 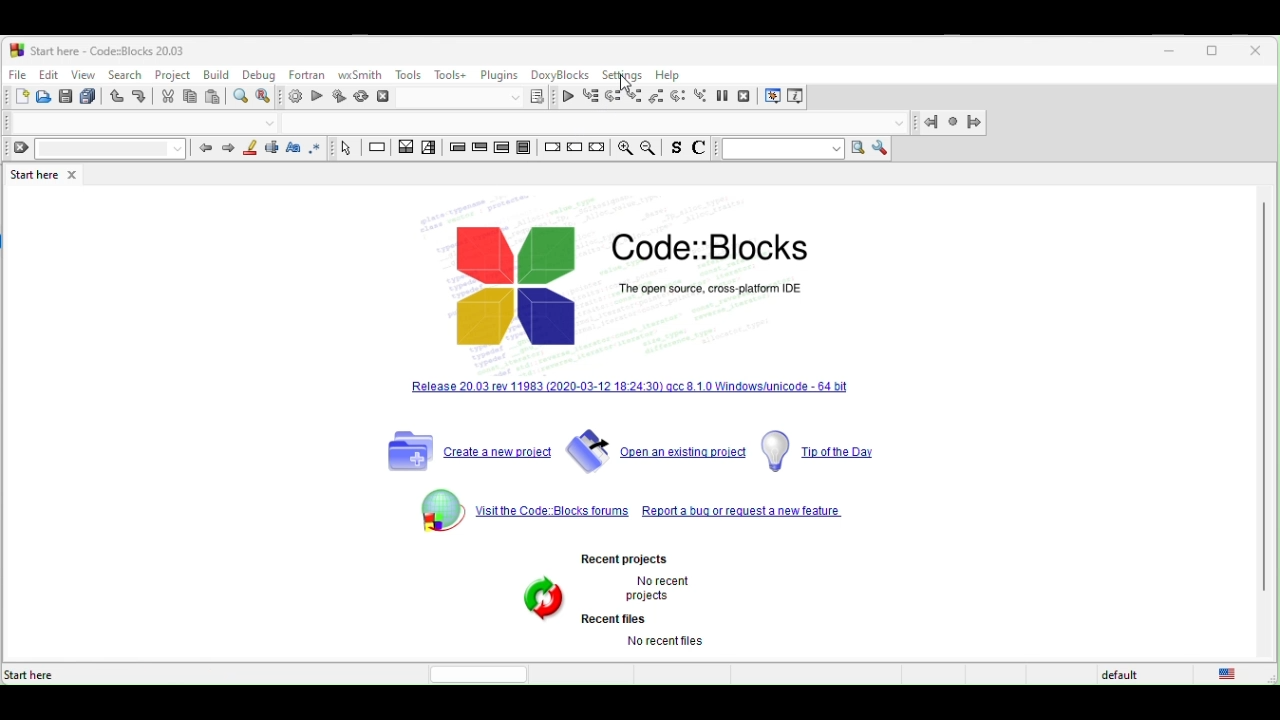 I want to click on start here, so click(x=47, y=174).